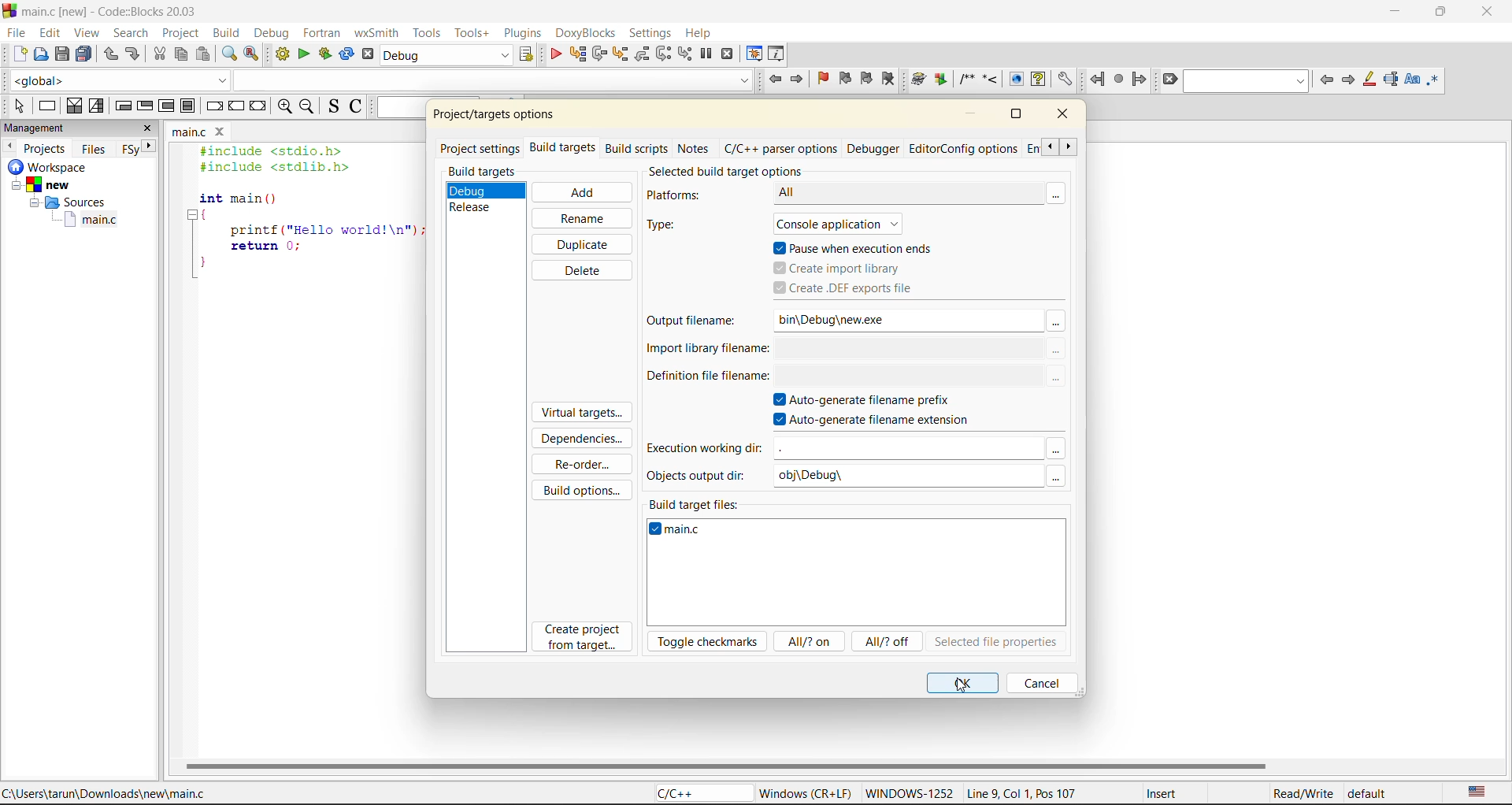 This screenshot has width=1512, height=805. I want to click on More, so click(1055, 450).